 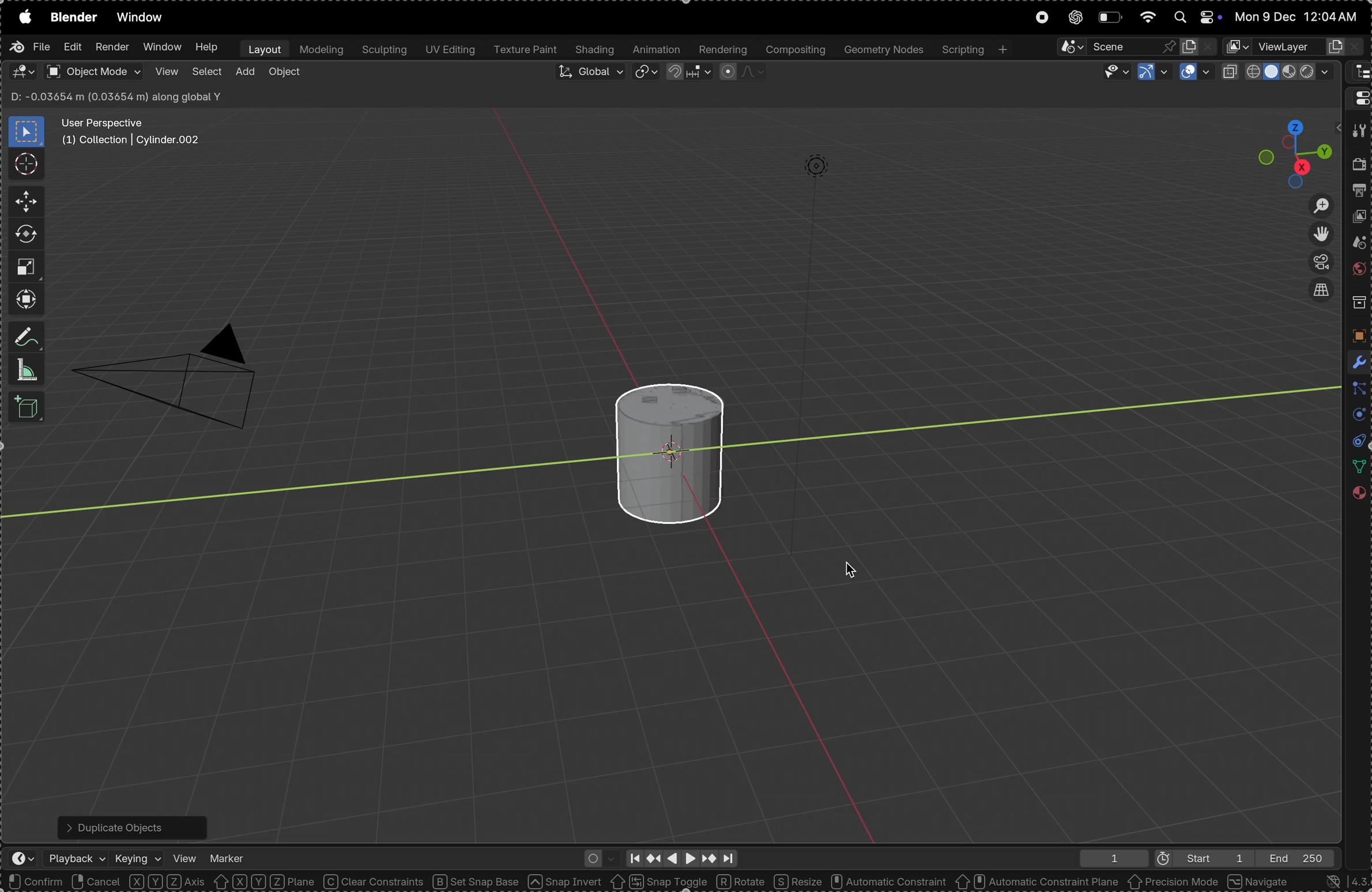 What do you see at coordinates (114, 97) in the screenshot?
I see `modes` at bounding box center [114, 97].